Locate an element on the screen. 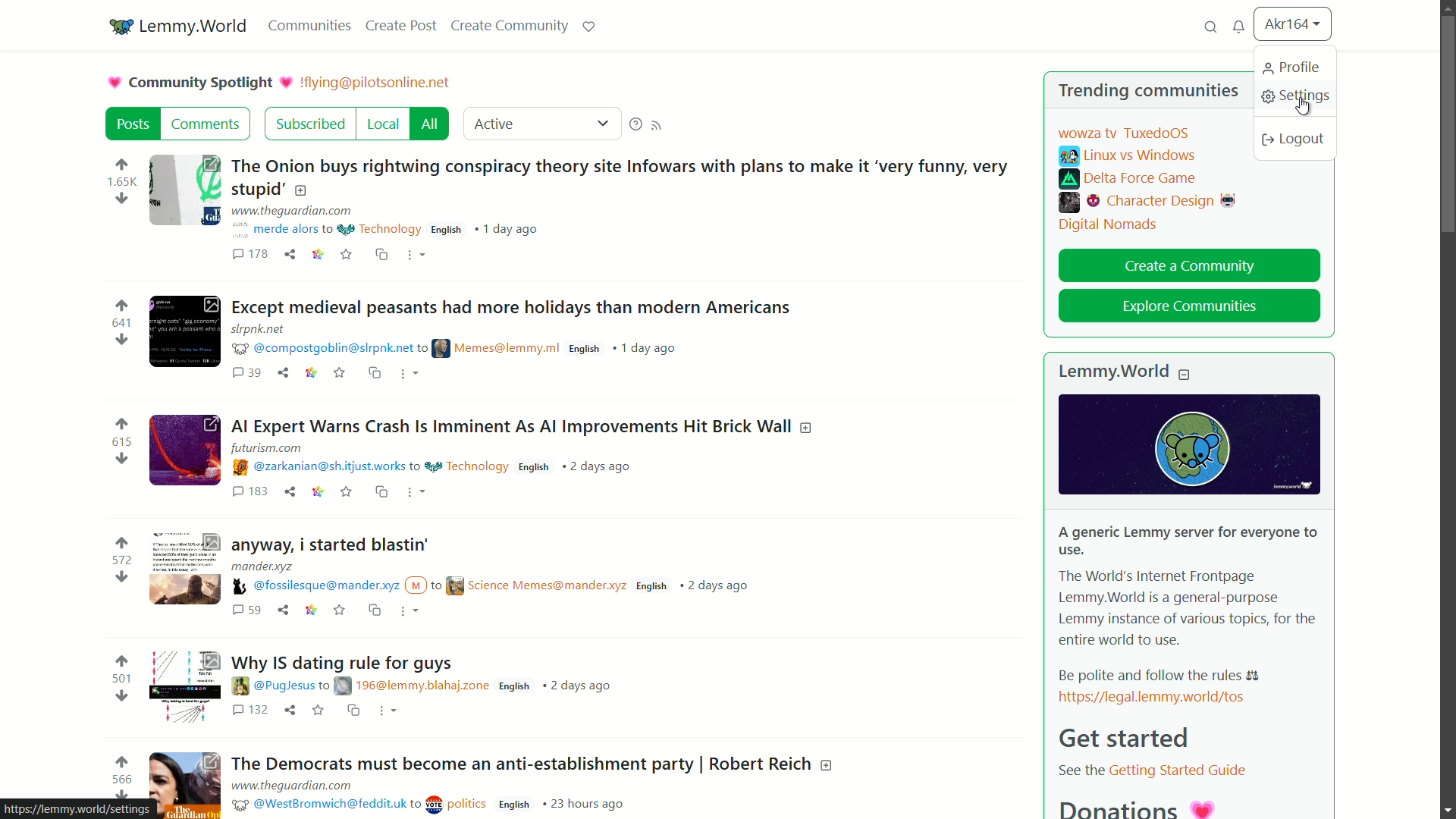 Image resolution: width=1456 pixels, height=819 pixels. image is located at coordinates (184, 686).